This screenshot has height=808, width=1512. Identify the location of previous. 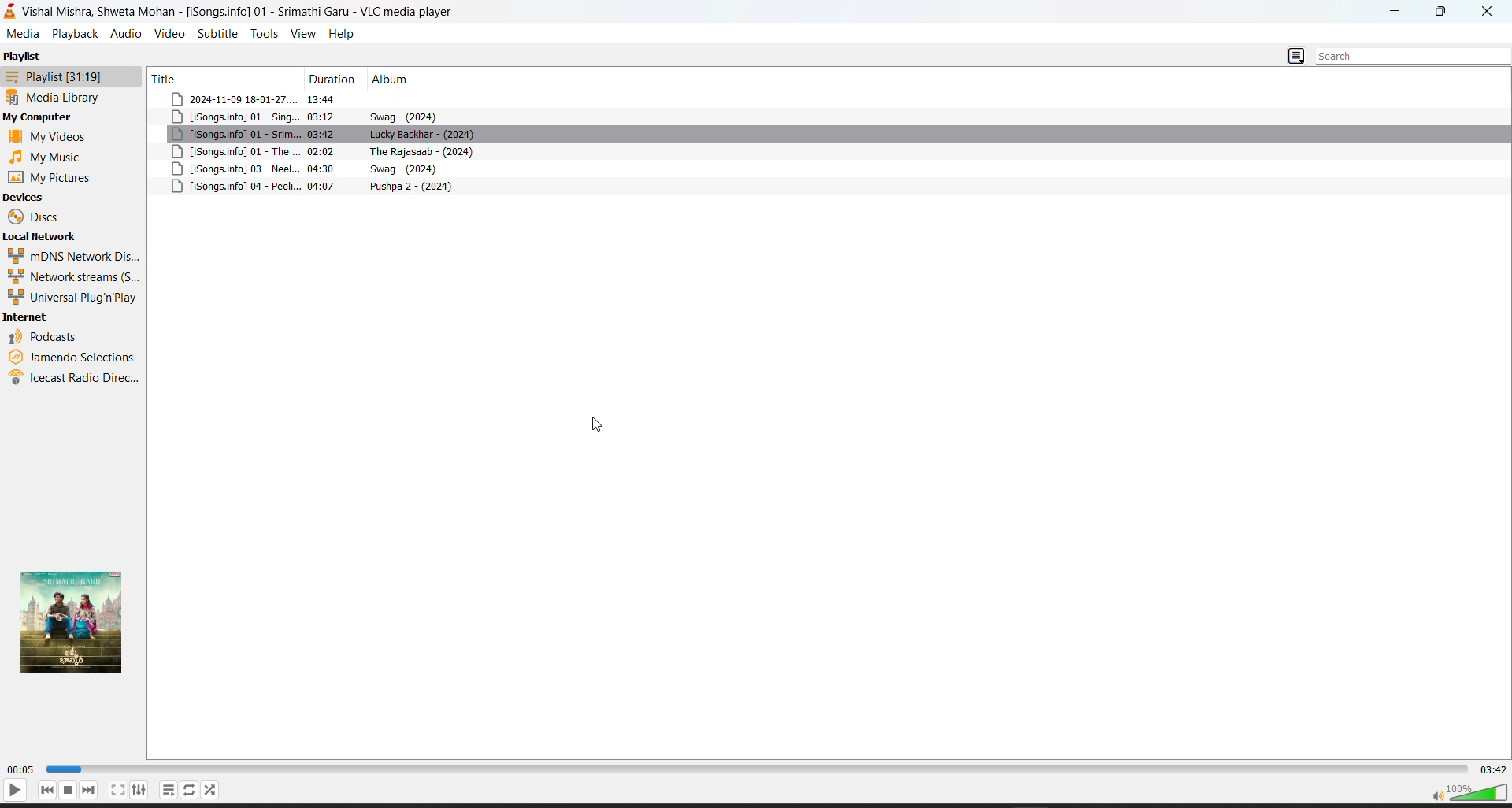
(47, 790).